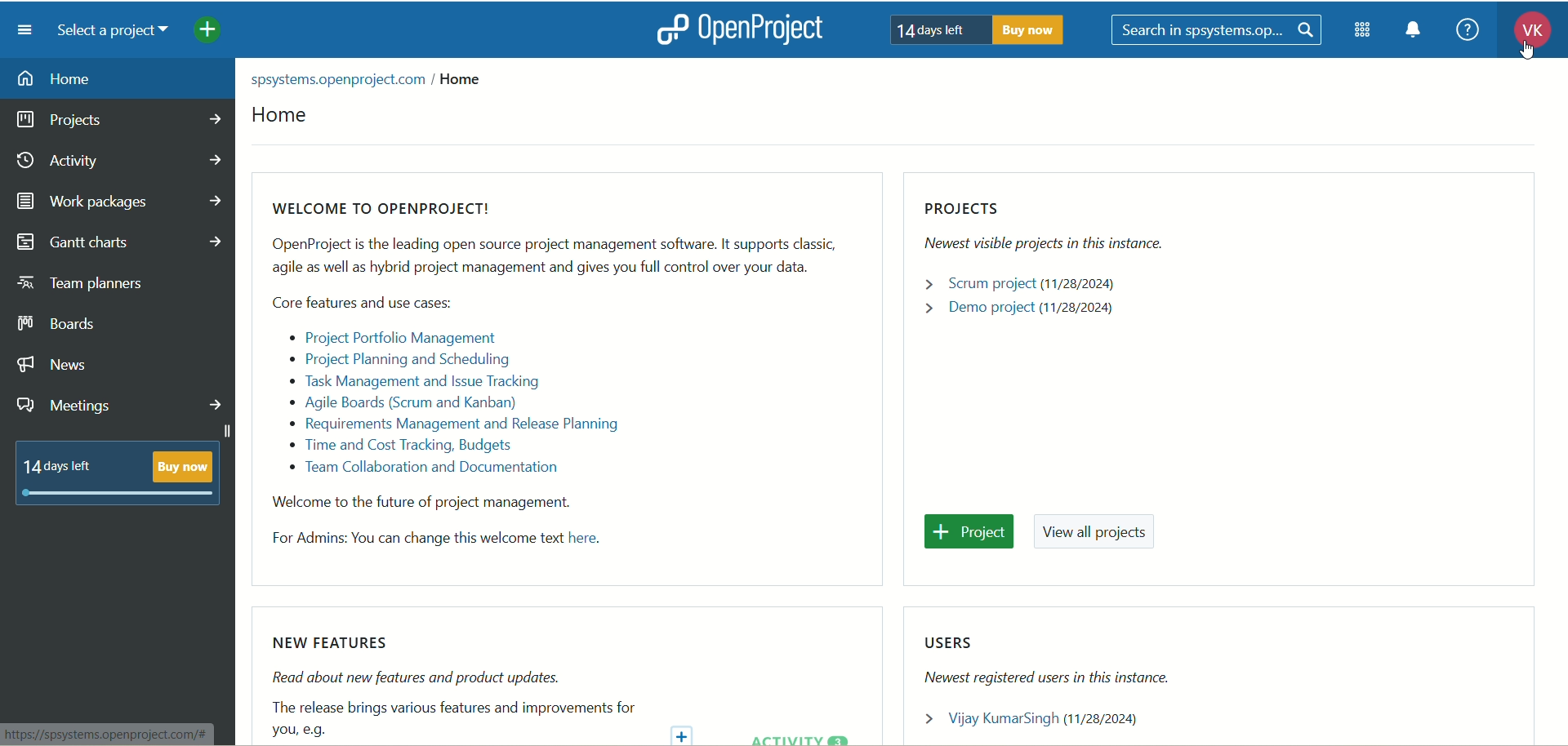  What do you see at coordinates (553, 377) in the screenshot?
I see `text` at bounding box center [553, 377].